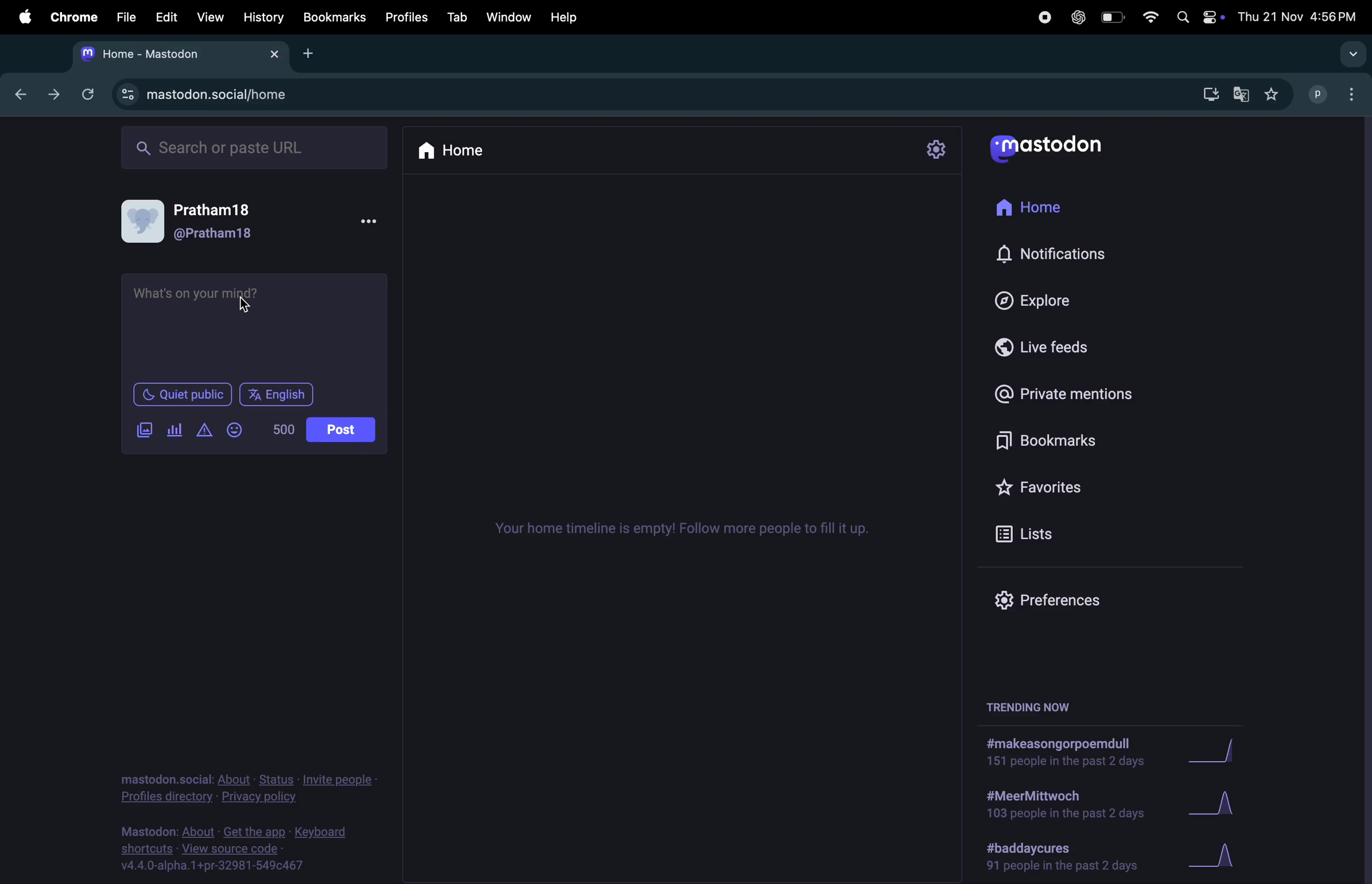 The height and width of the screenshot is (884, 1372). What do you see at coordinates (335, 18) in the screenshot?
I see `bookmarks` at bounding box center [335, 18].